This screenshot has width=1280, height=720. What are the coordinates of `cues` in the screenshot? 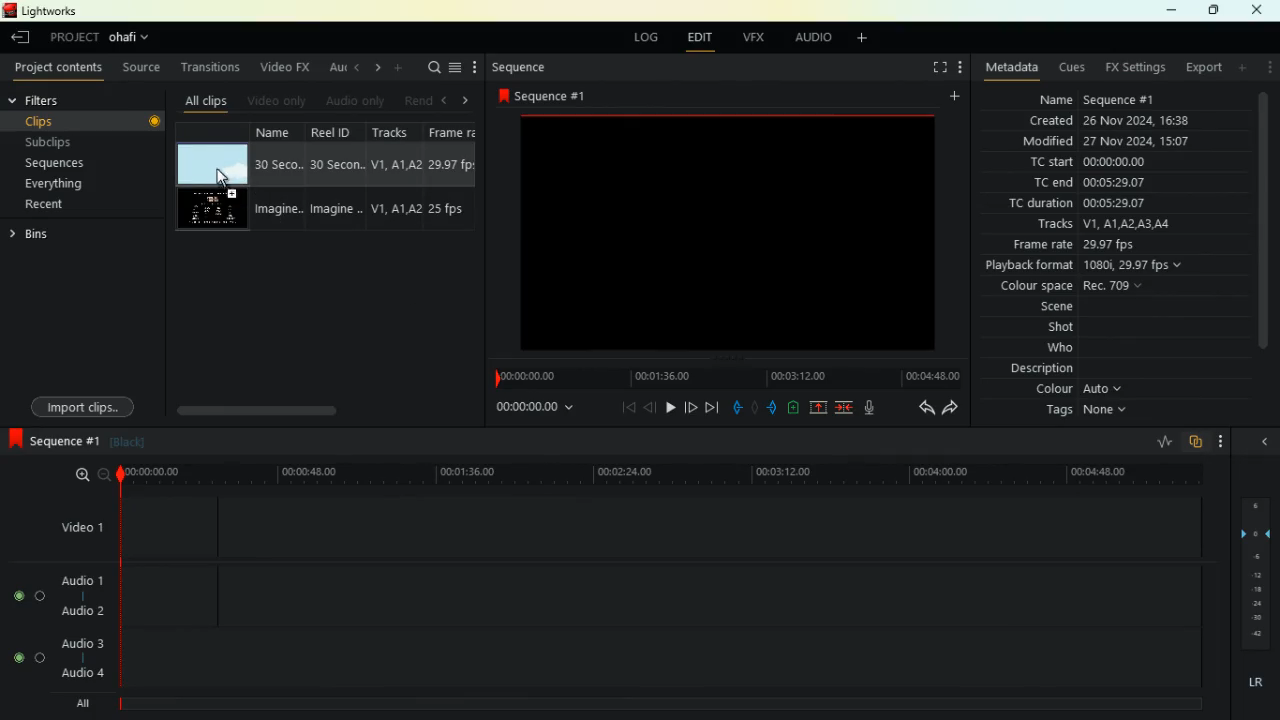 It's located at (1074, 67).